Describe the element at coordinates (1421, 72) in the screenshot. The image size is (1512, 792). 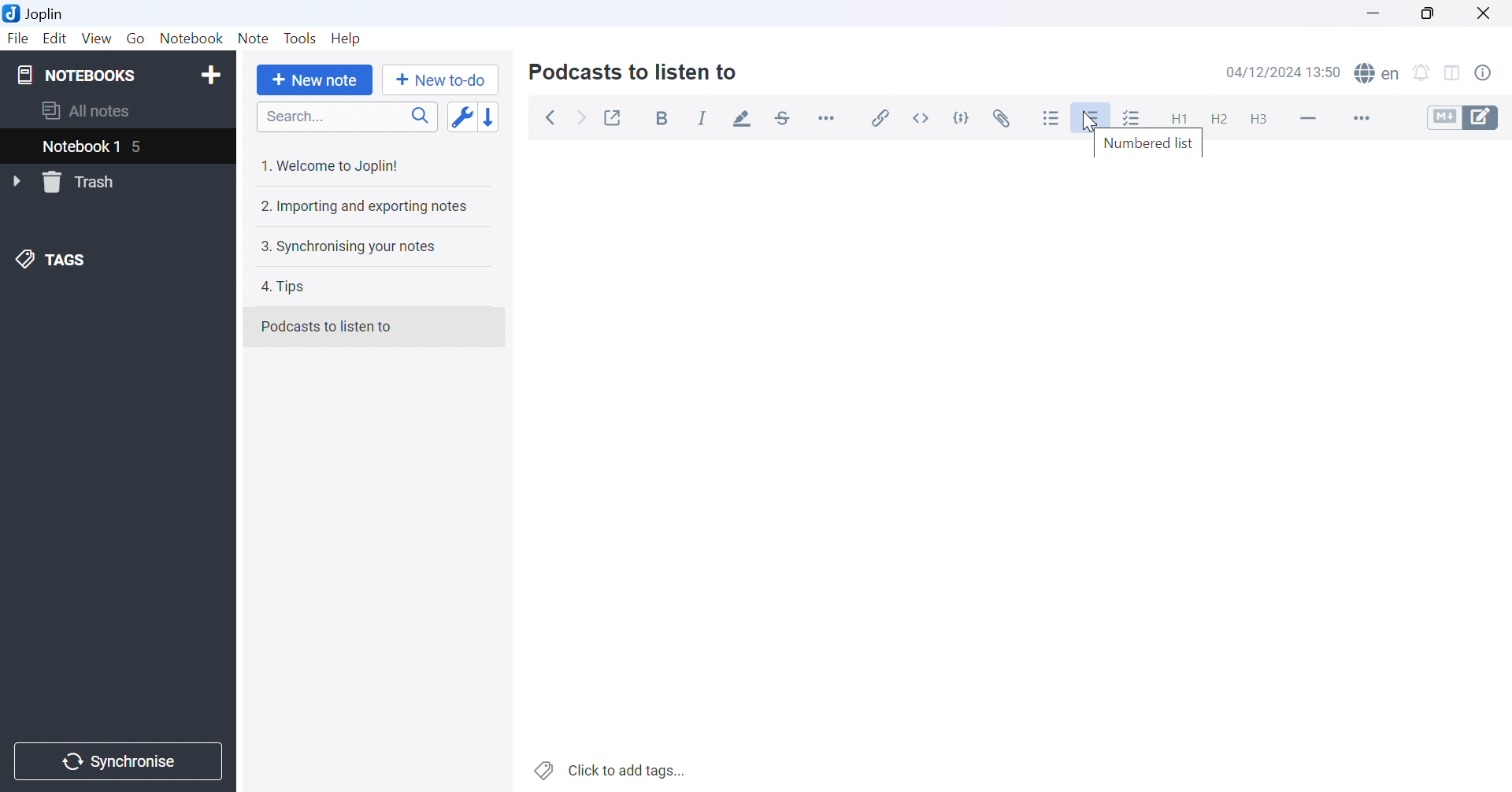
I see `Set alarm` at that location.